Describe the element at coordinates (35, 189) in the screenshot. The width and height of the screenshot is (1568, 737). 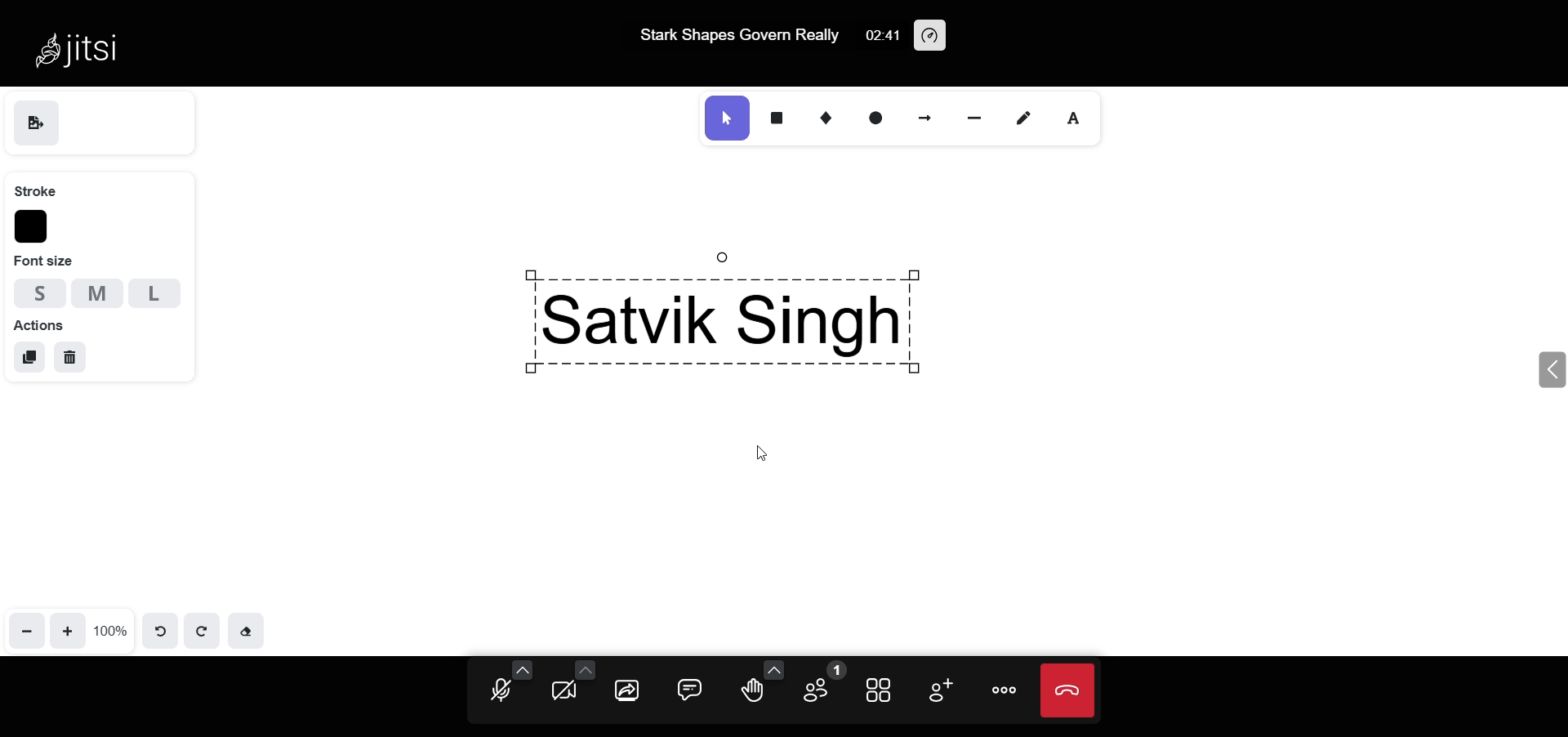
I see `stroke` at that location.